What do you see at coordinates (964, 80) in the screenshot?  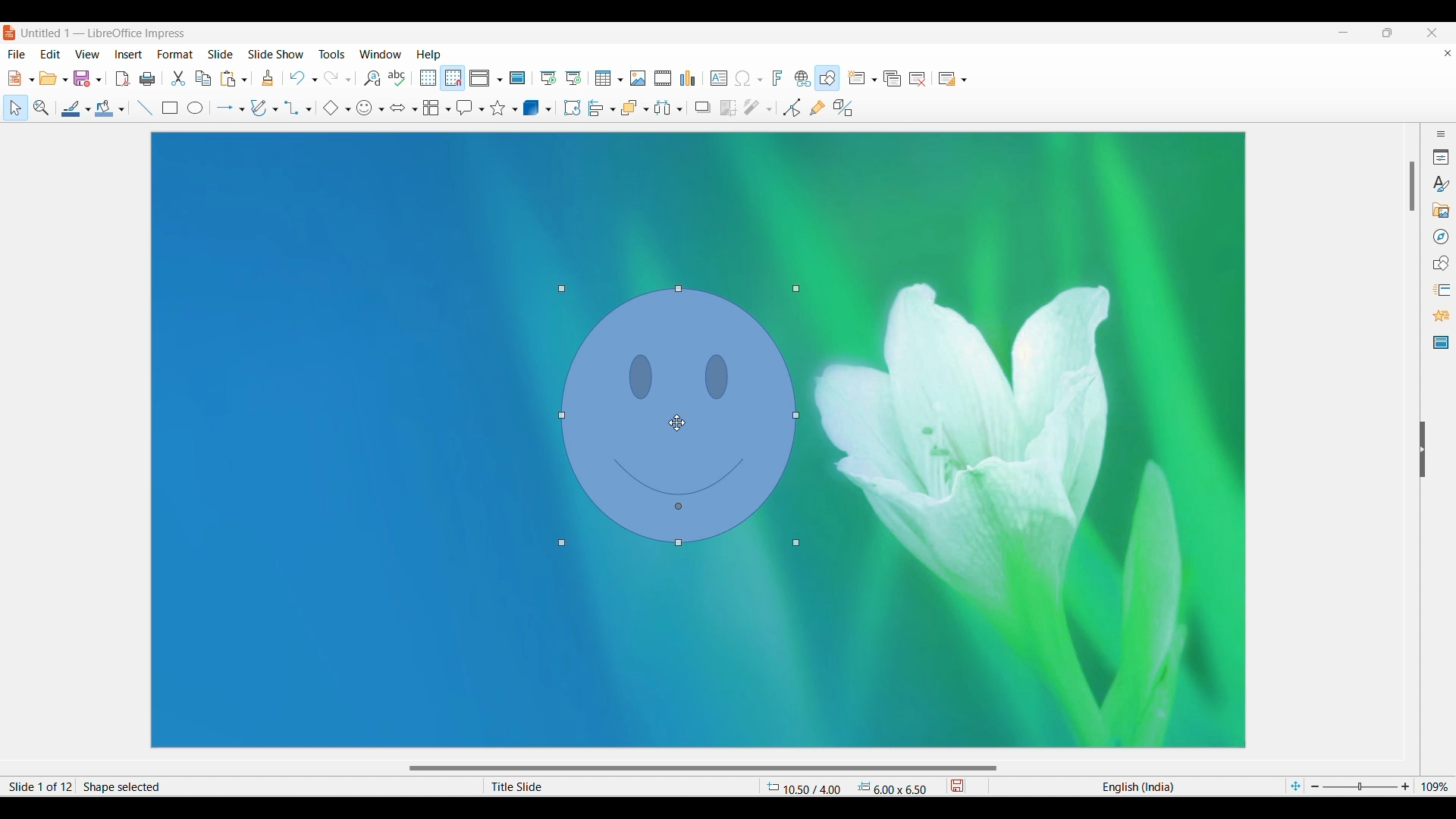 I see `Slide layout options` at bounding box center [964, 80].